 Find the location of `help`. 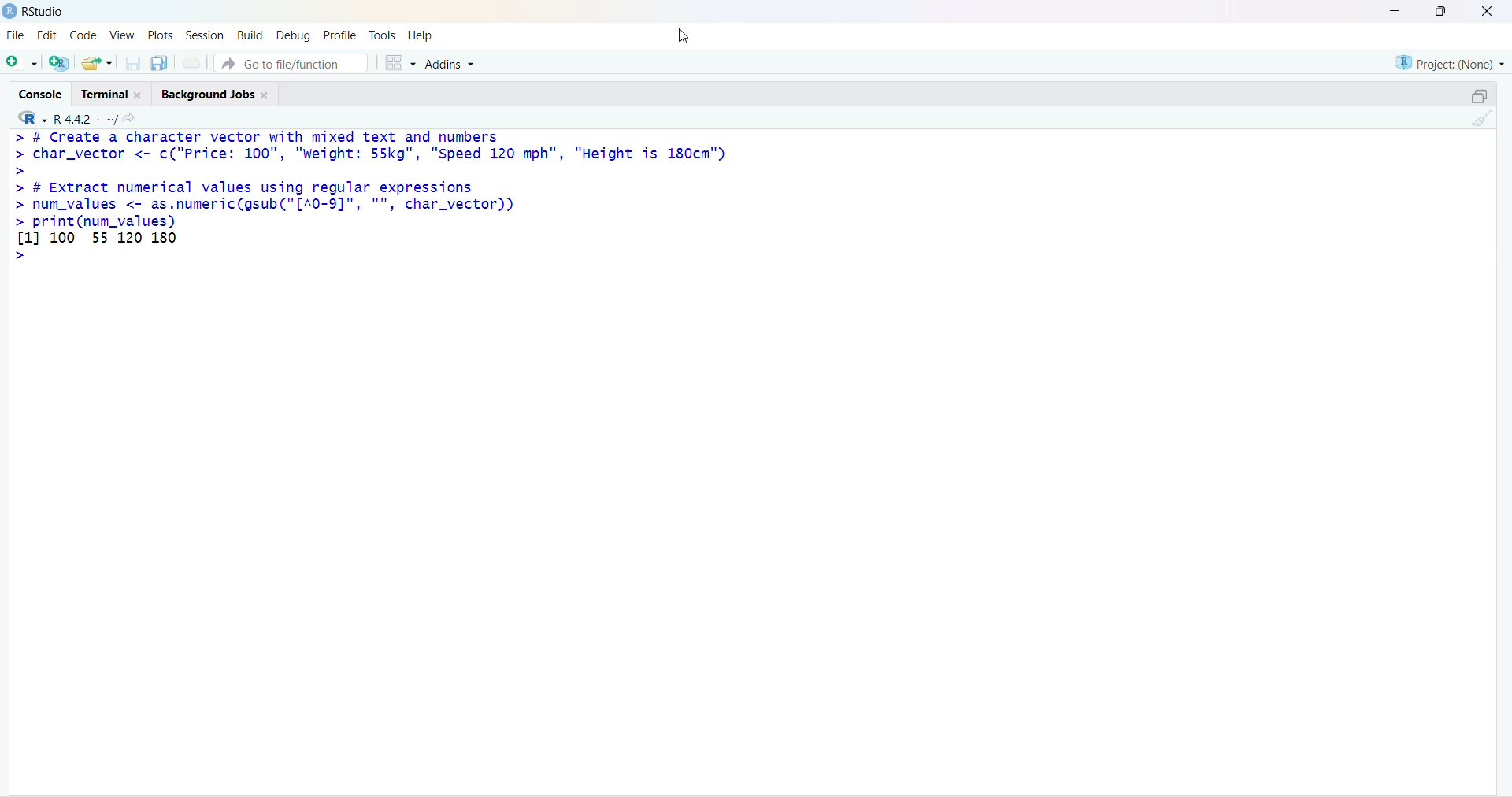

help is located at coordinates (420, 36).